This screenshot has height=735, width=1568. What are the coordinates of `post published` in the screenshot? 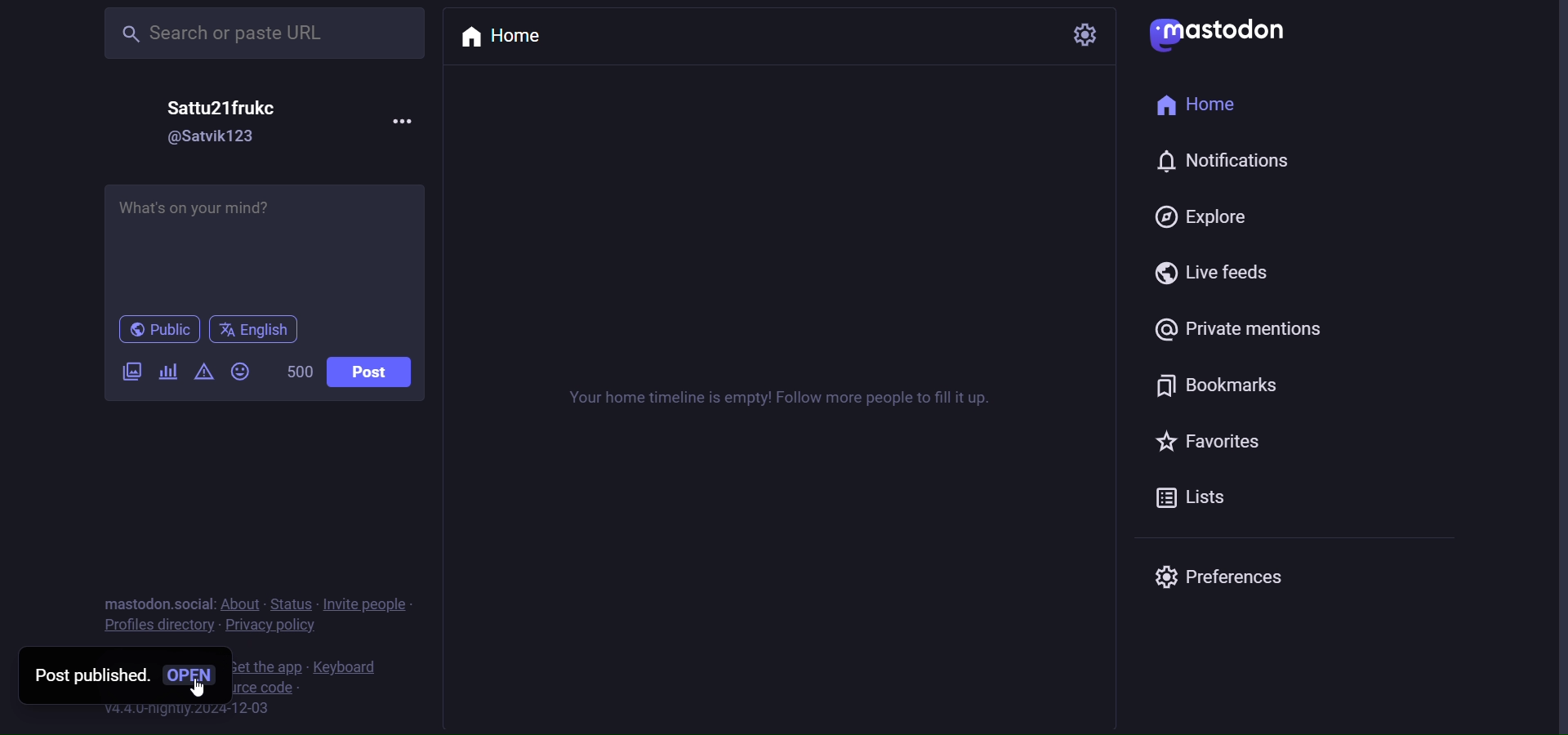 It's located at (89, 676).